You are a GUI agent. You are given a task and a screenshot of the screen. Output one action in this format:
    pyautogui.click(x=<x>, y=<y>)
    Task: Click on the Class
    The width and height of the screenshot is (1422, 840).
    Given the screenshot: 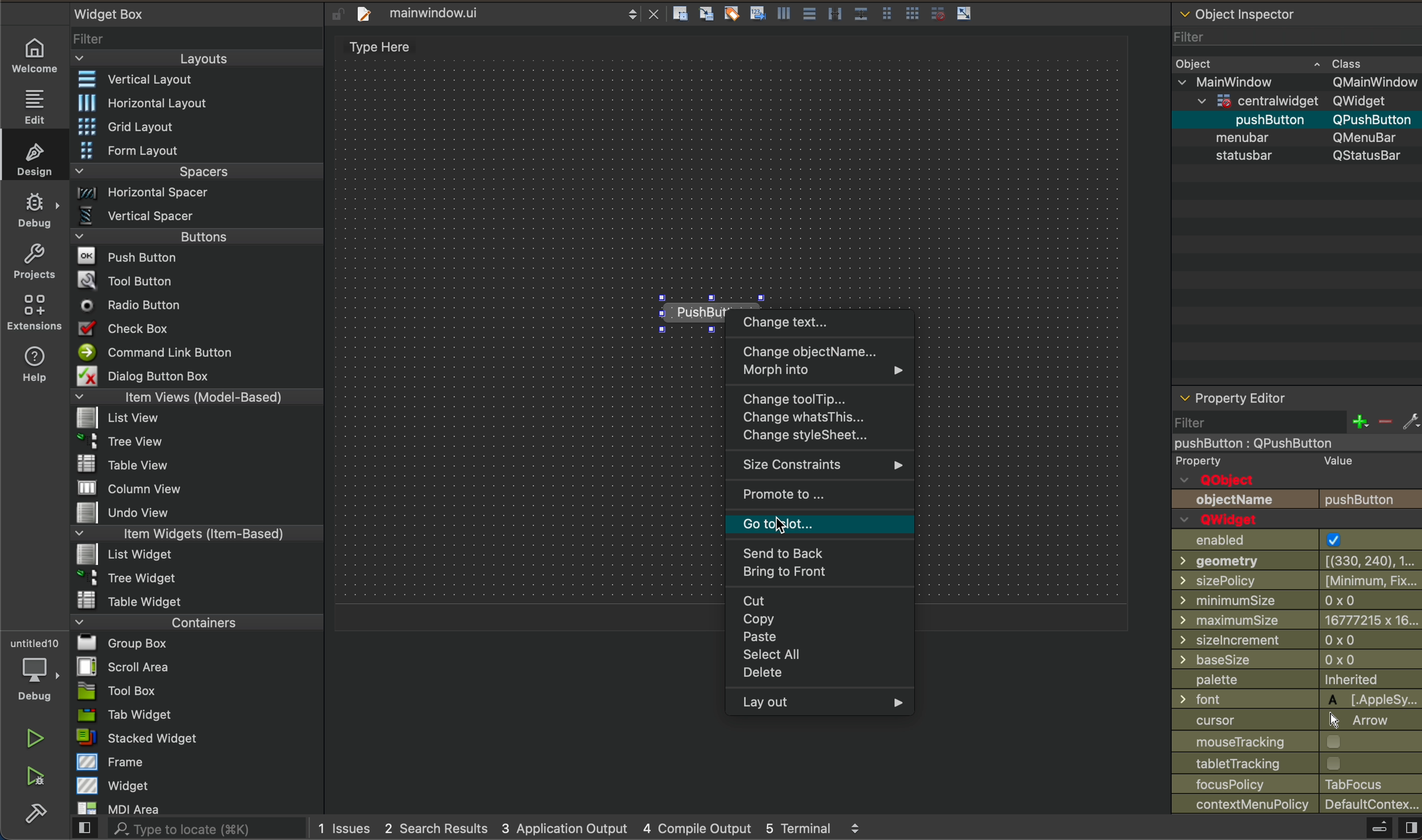 What is the action you would take?
    pyautogui.click(x=1339, y=63)
    